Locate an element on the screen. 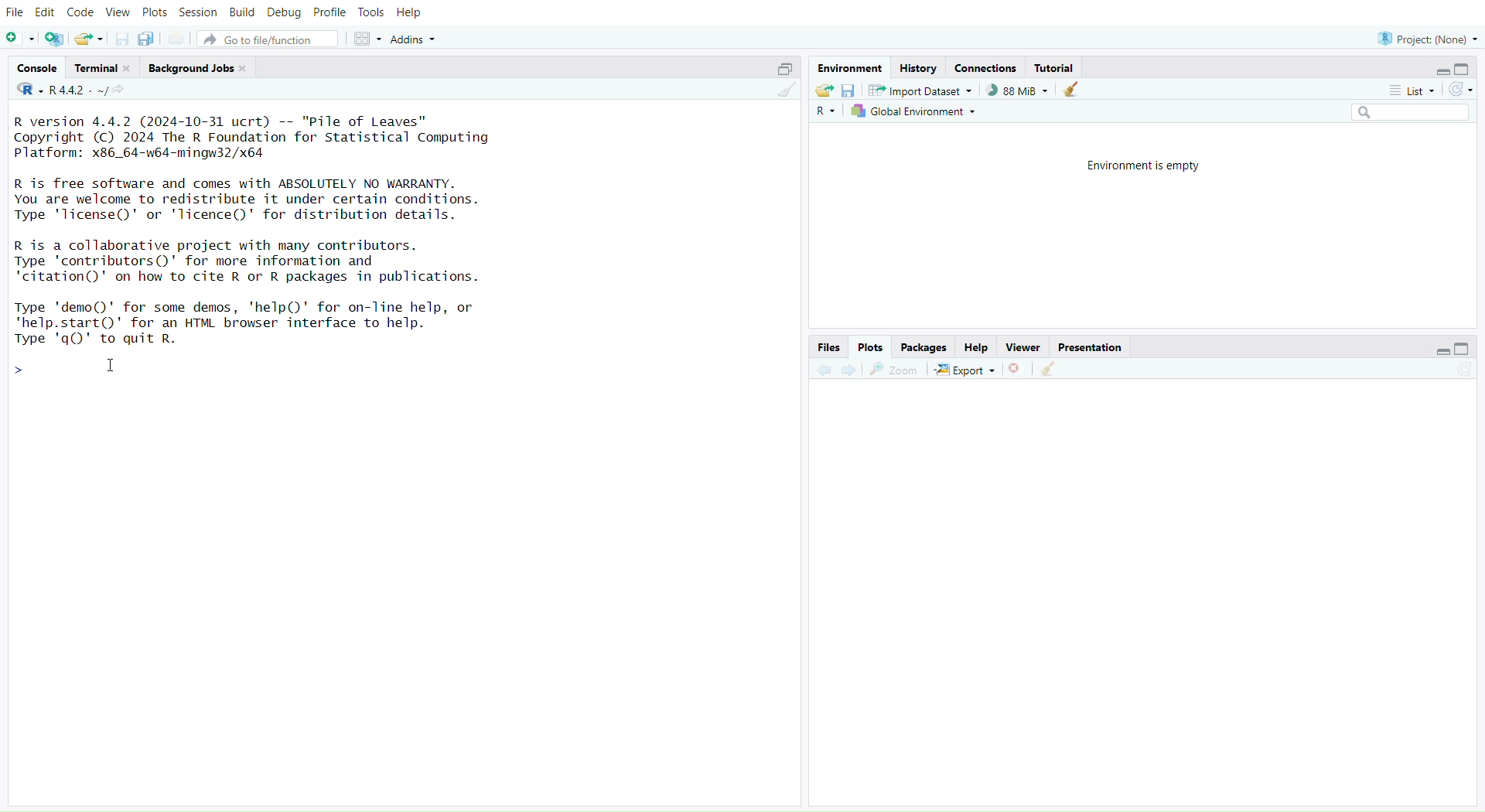  background jobs is located at coordinates (201, 68).